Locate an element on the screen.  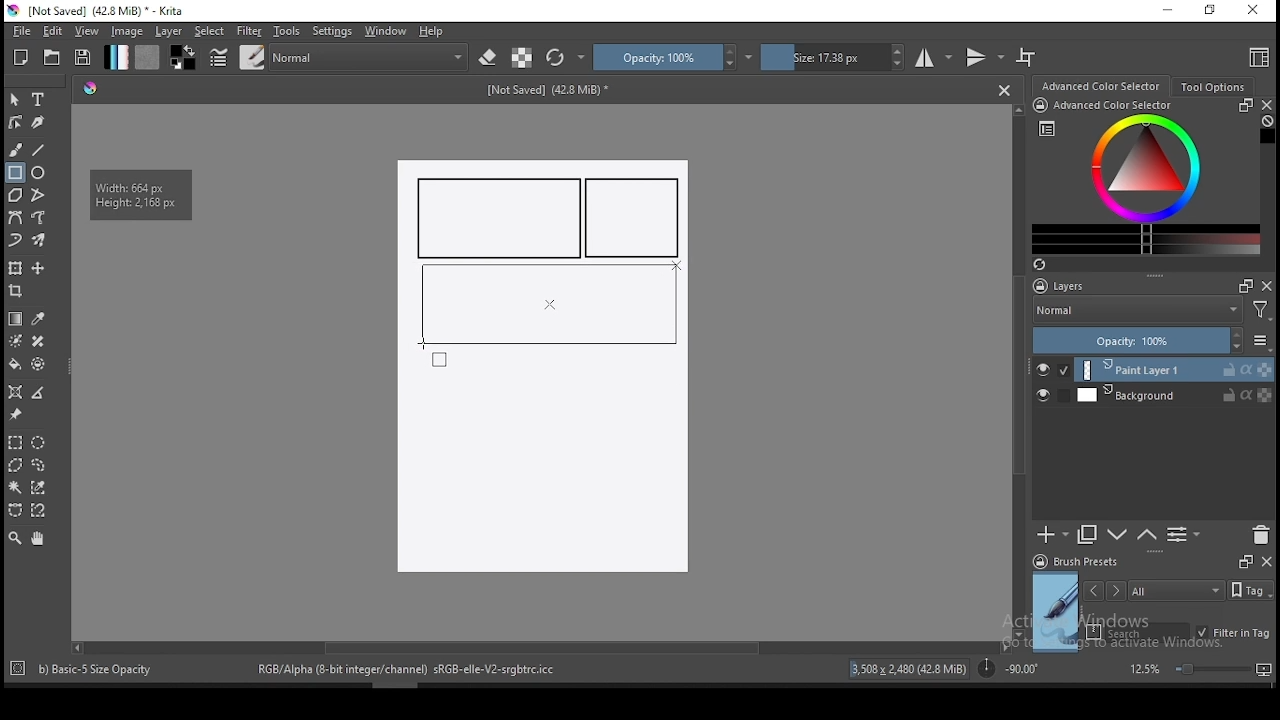
polygon selection tool is located at coordinates (16, 465).